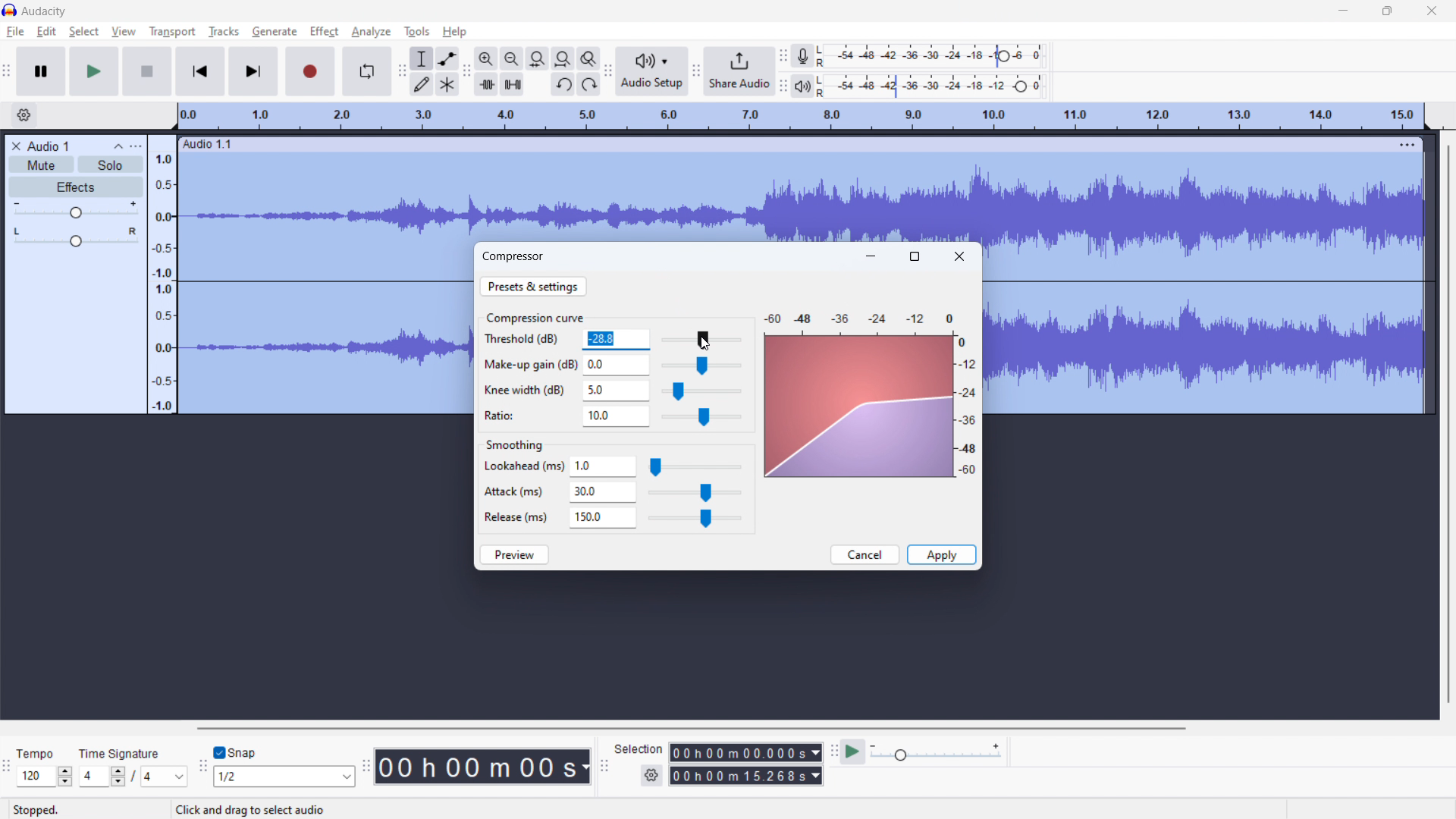 The image size is (1456, 819). Describe the element at coordinates (366, 768) in the screenshot. I see `time toolbar` at that location.